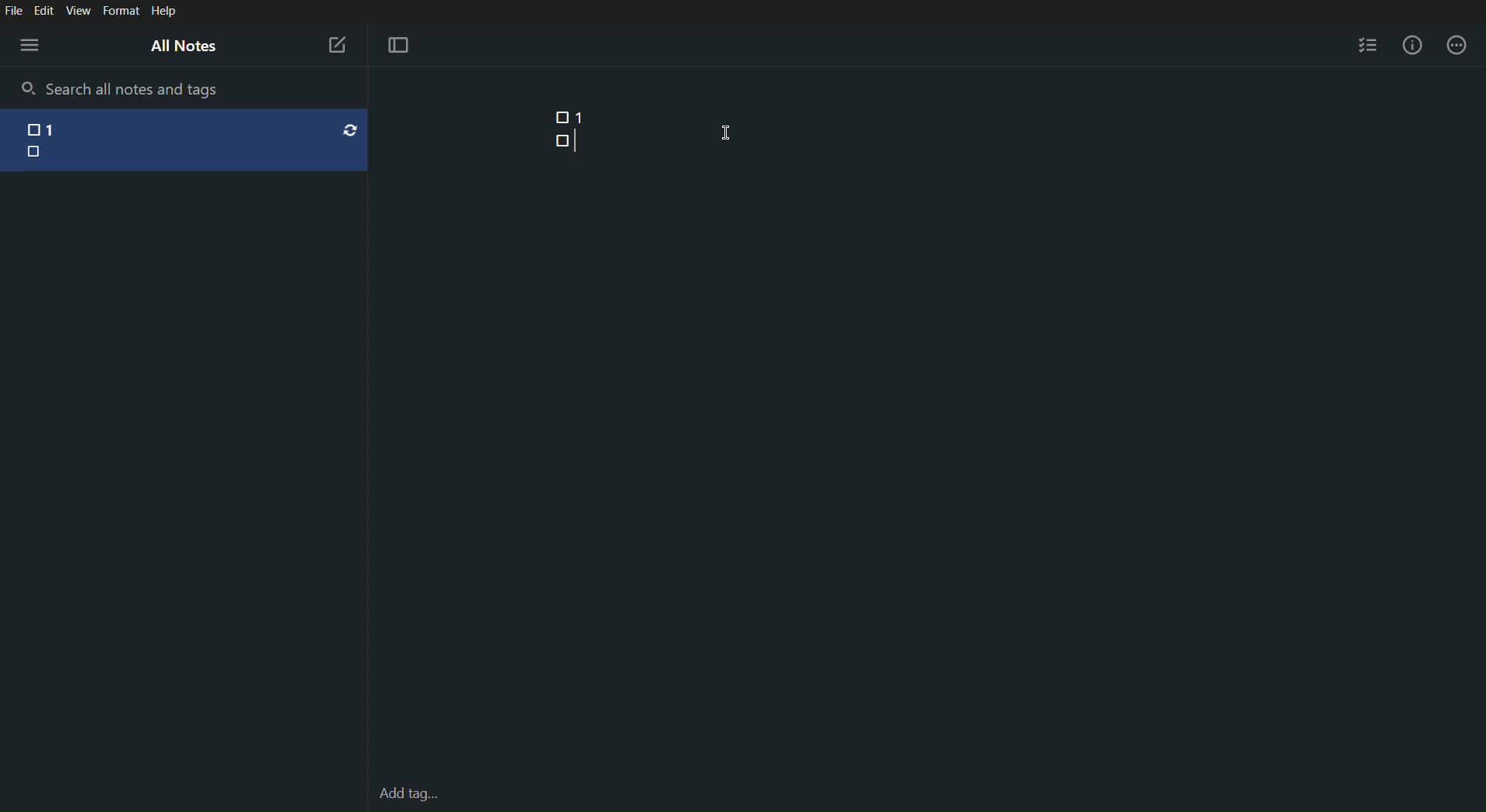 The image size is (1486, 812). What do you see at coordinates (138, 88) in the screenshot?
I see `Search all notes and tags` at bounding box center [138, 88].